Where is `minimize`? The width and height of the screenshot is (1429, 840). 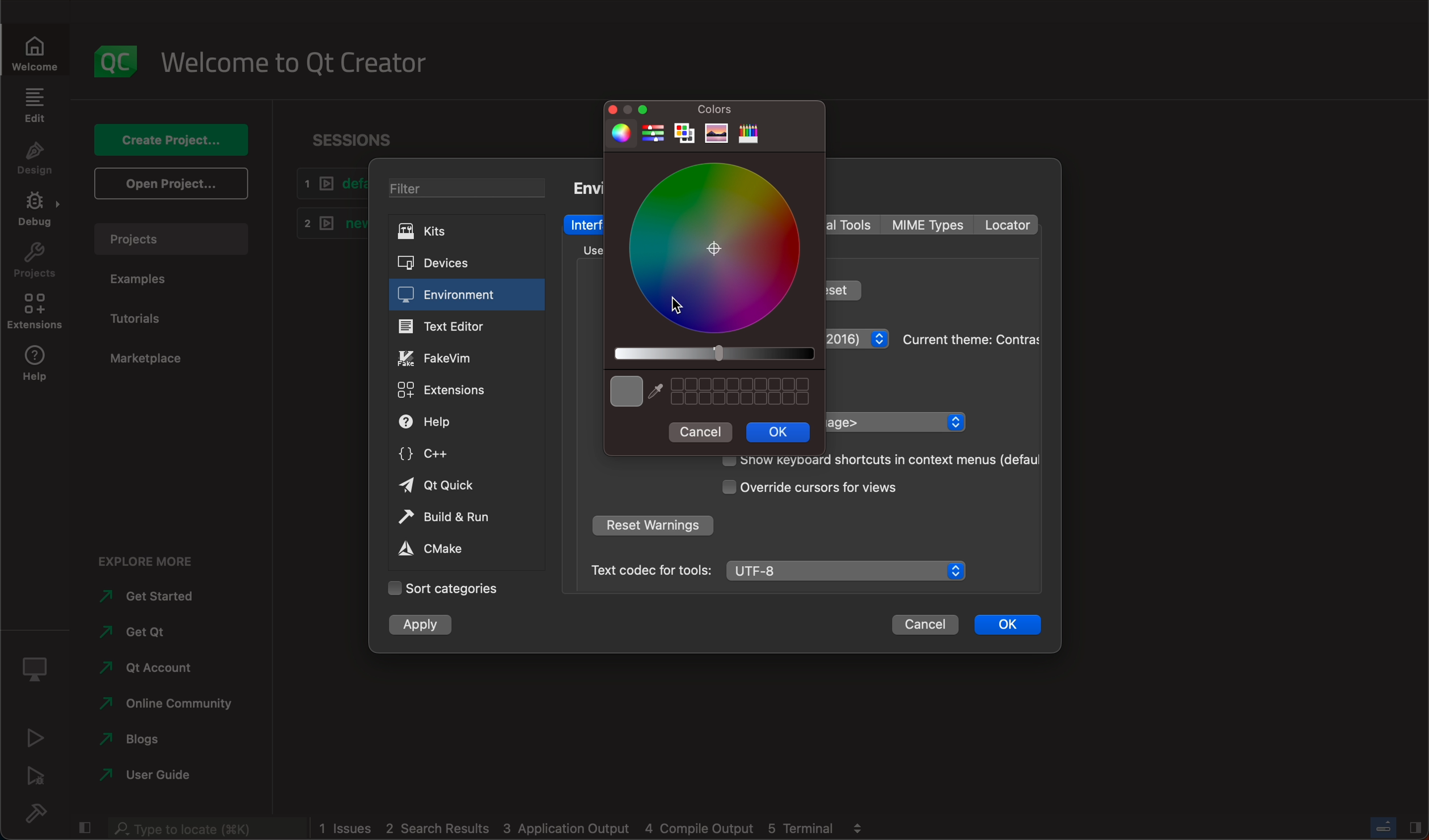 minimize is located at coordinates (645, 108).